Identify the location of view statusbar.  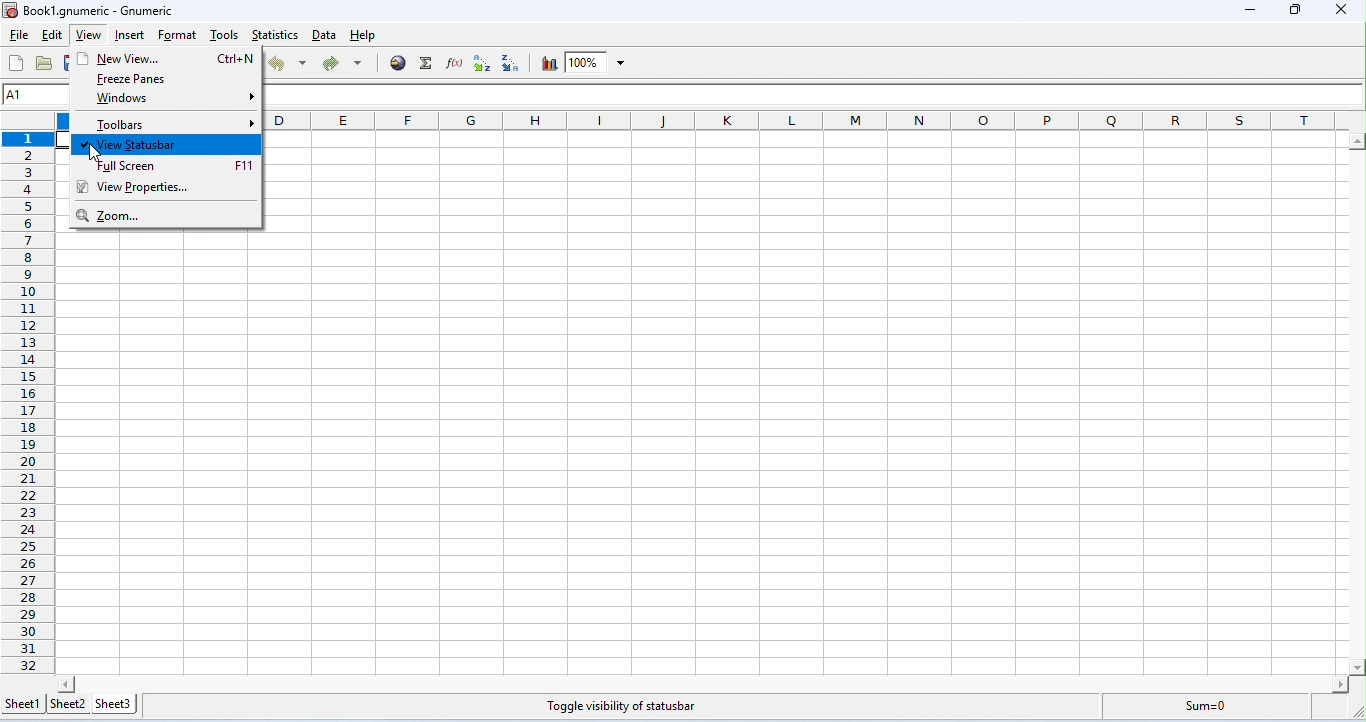
(168, 144).